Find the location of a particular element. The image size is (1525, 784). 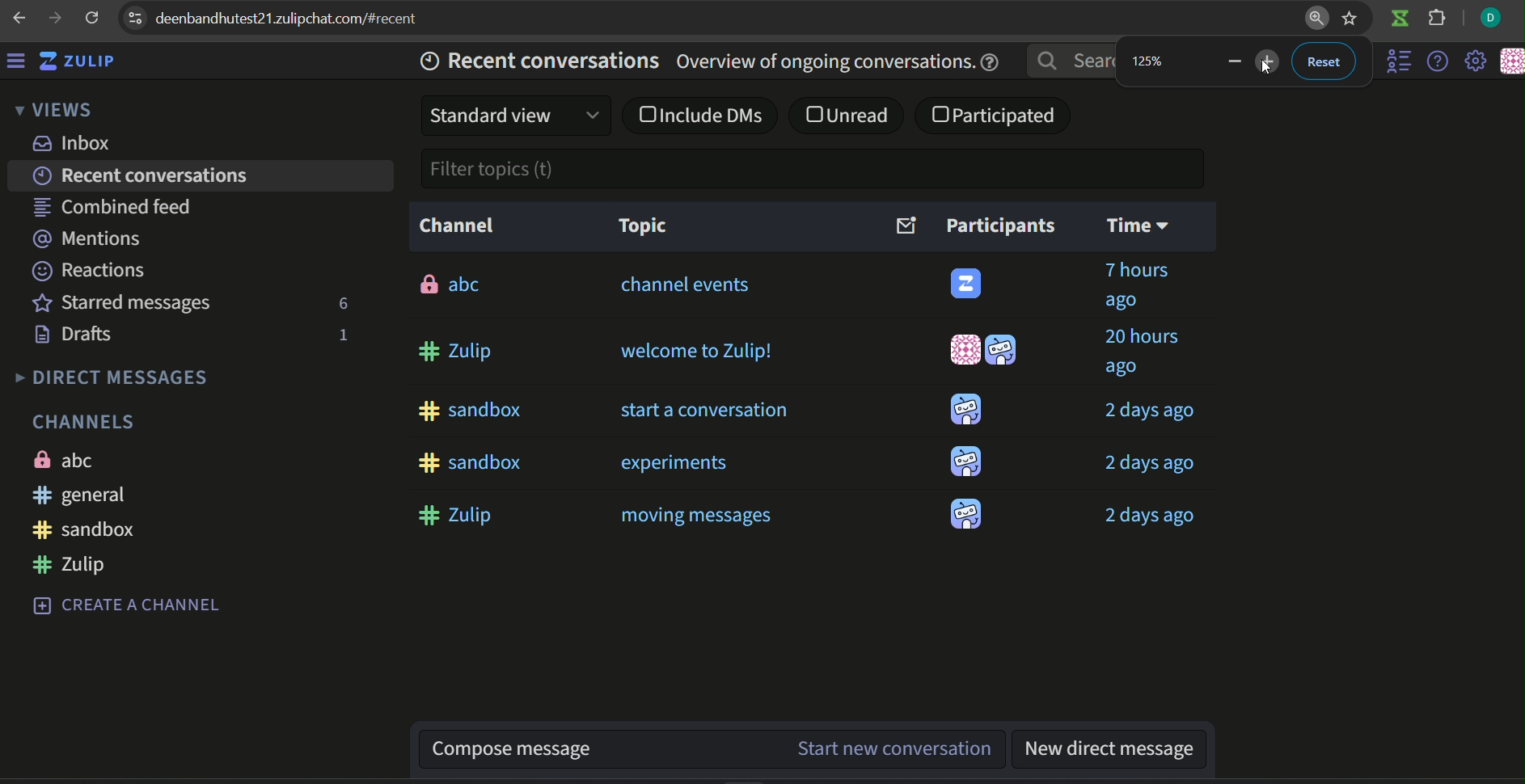

text is located at coordinates (84, 419).